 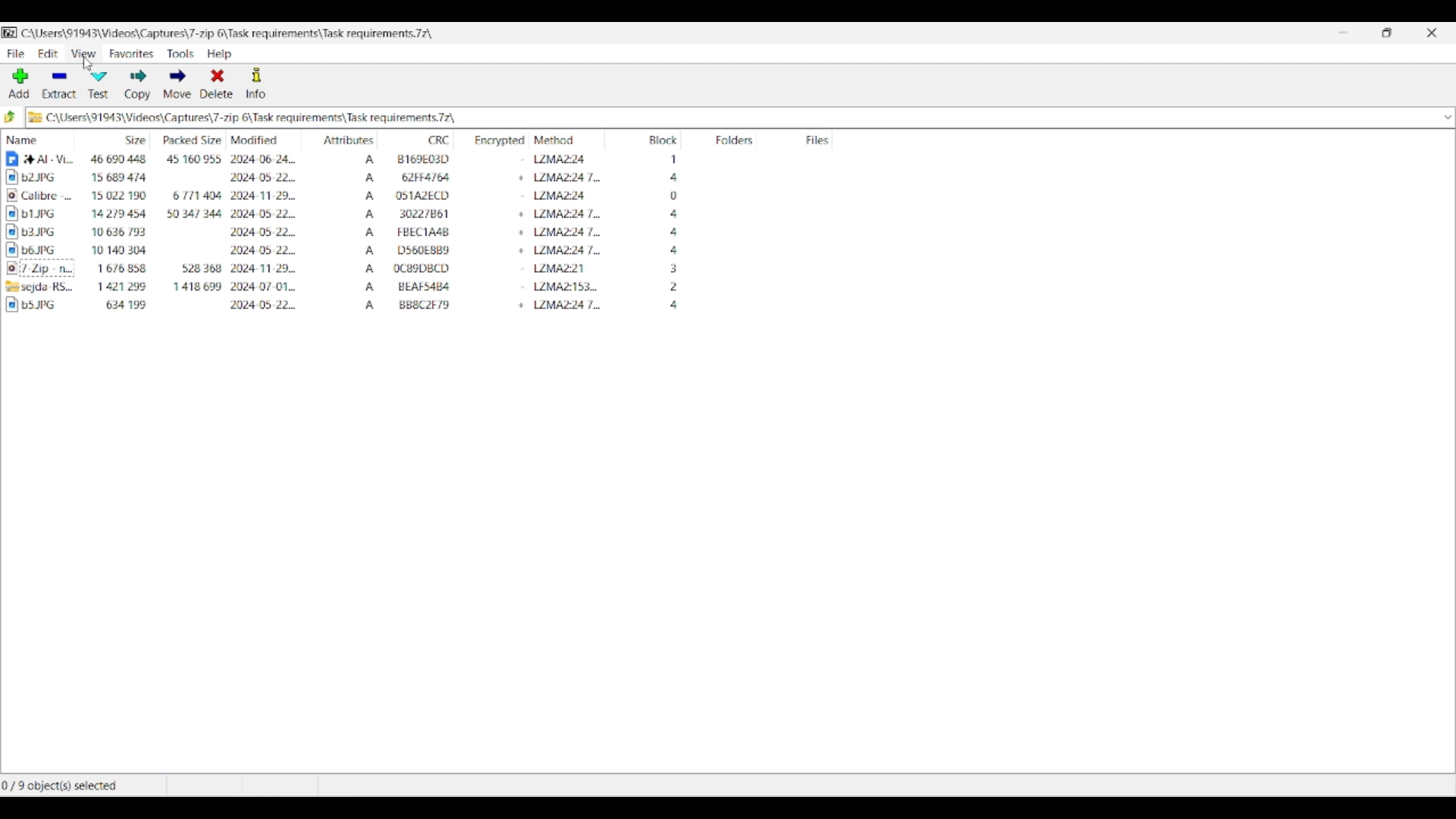 I want to click on Info, so click(x=256, y=83).